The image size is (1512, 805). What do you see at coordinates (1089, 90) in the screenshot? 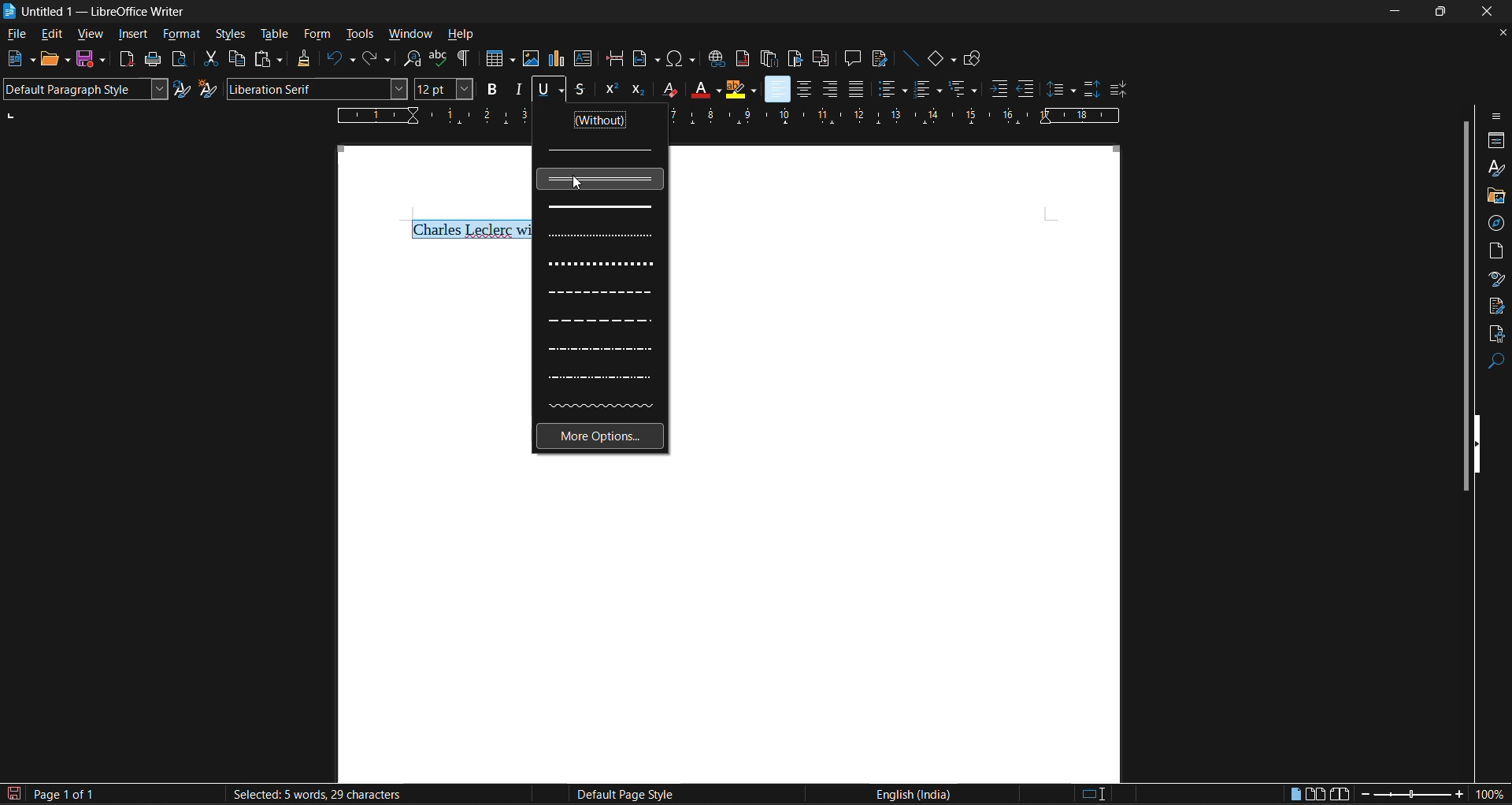
I see `increase paragraph spacing` at bounding box center [1089, 90].